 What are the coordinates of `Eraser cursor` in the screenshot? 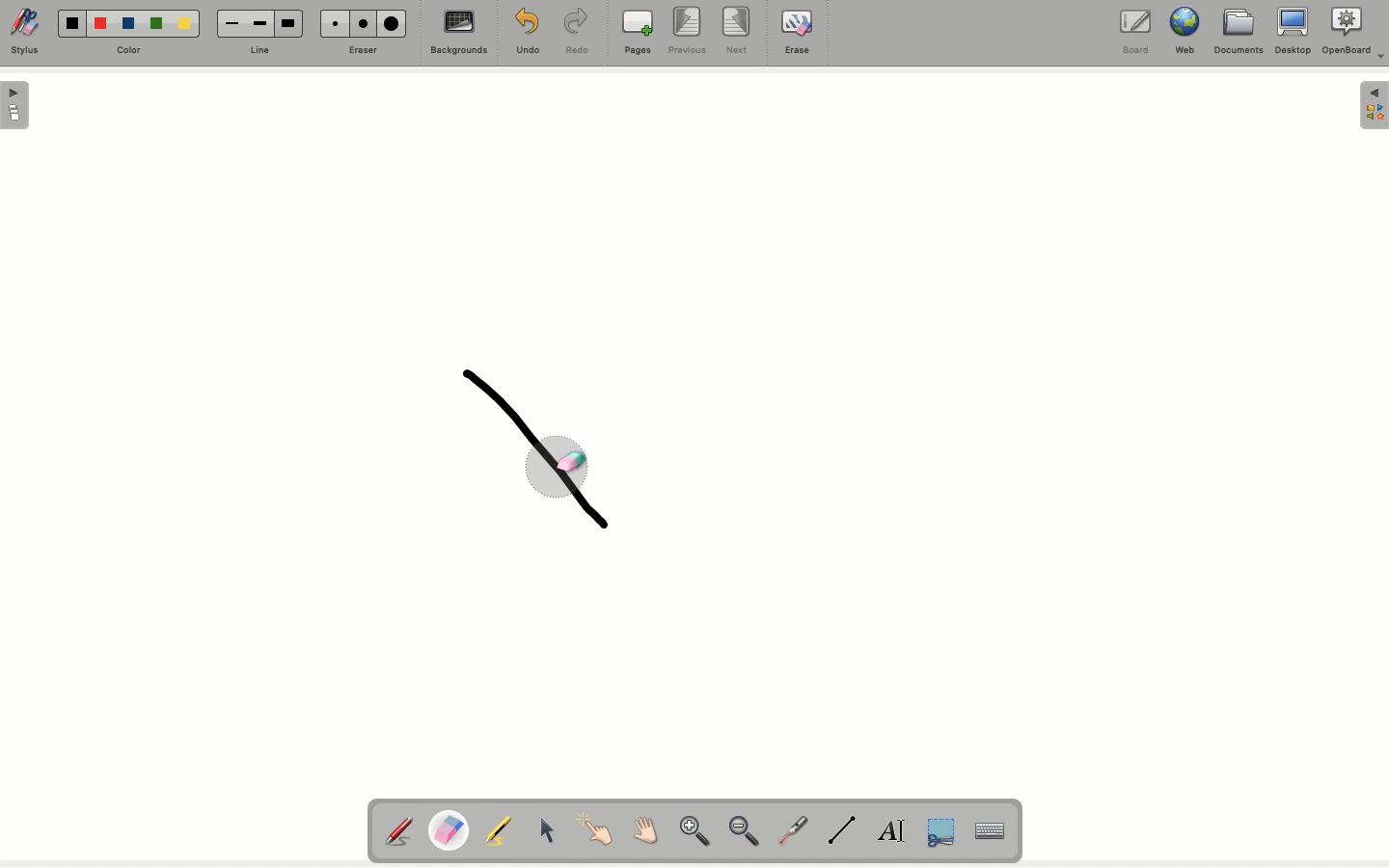 It's located at (559, 460).